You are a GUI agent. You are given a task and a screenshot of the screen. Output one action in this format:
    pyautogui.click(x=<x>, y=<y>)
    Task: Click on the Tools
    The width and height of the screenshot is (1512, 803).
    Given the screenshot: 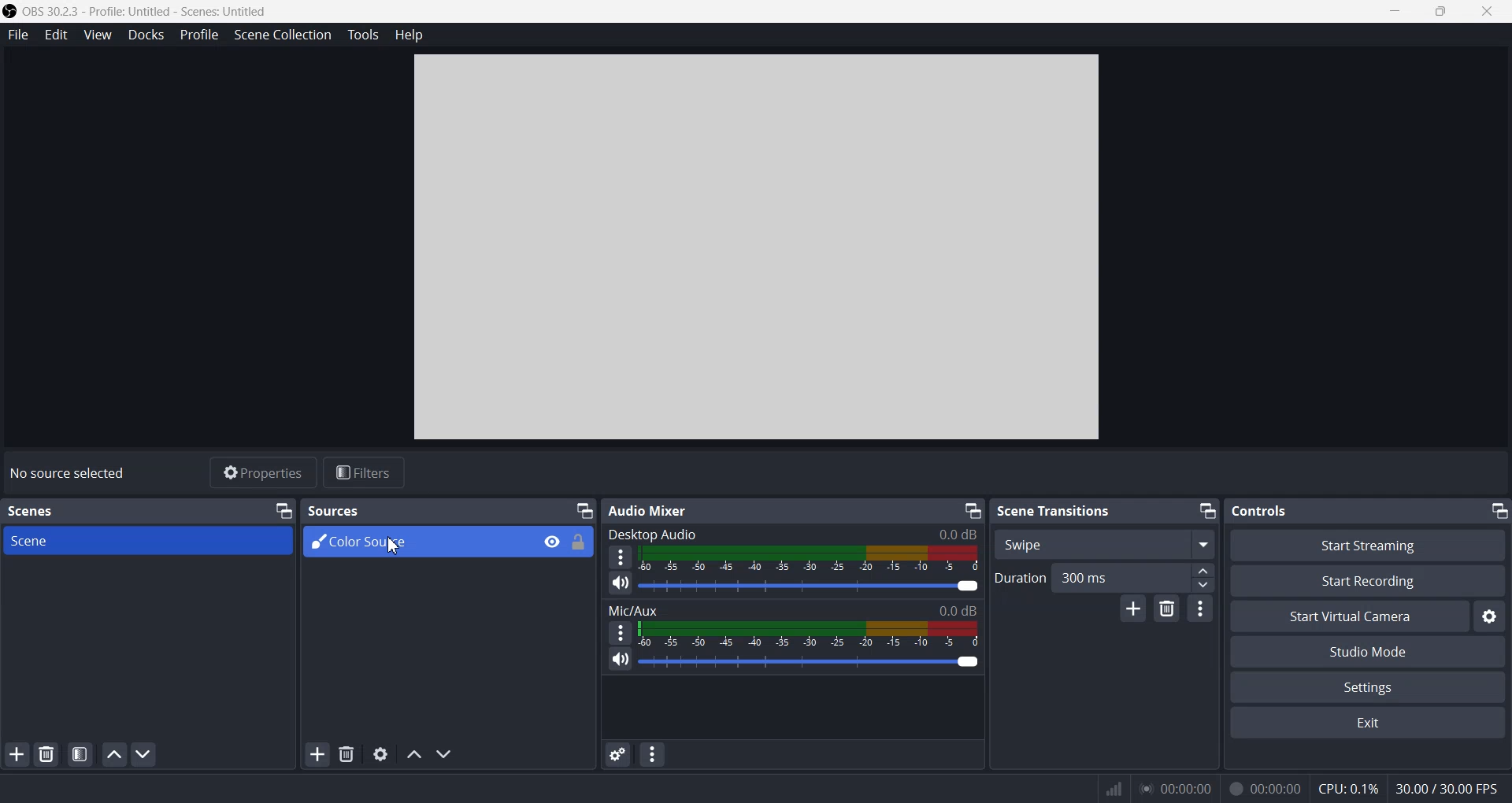 What is the action you would take?
    pyautogui.click(x=365, y=34)
    